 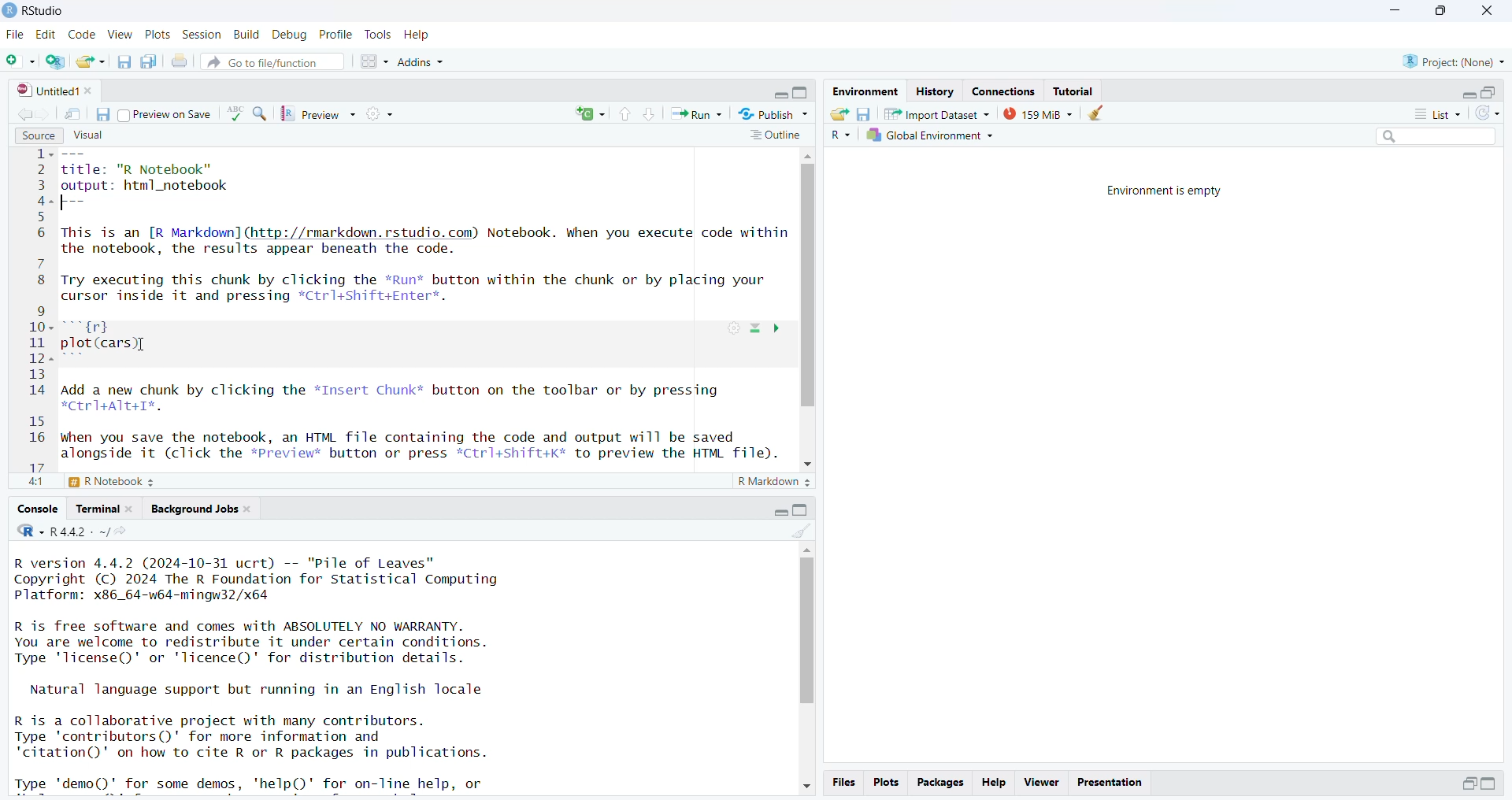 I want to click on view the current working directory, so click(x=124, y=530).